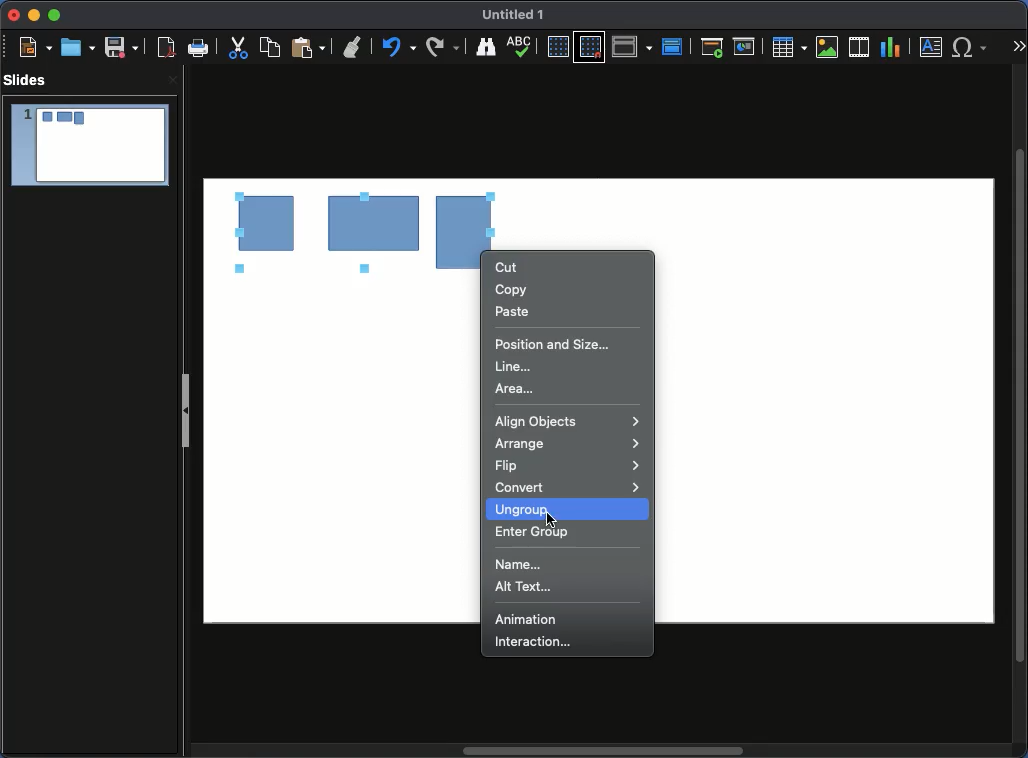 This screenshot has height=758, width=1028. What do you see at coordinates (673, 46) in the screenshot?
I see `Master slide` at bounding box center [673, 46].